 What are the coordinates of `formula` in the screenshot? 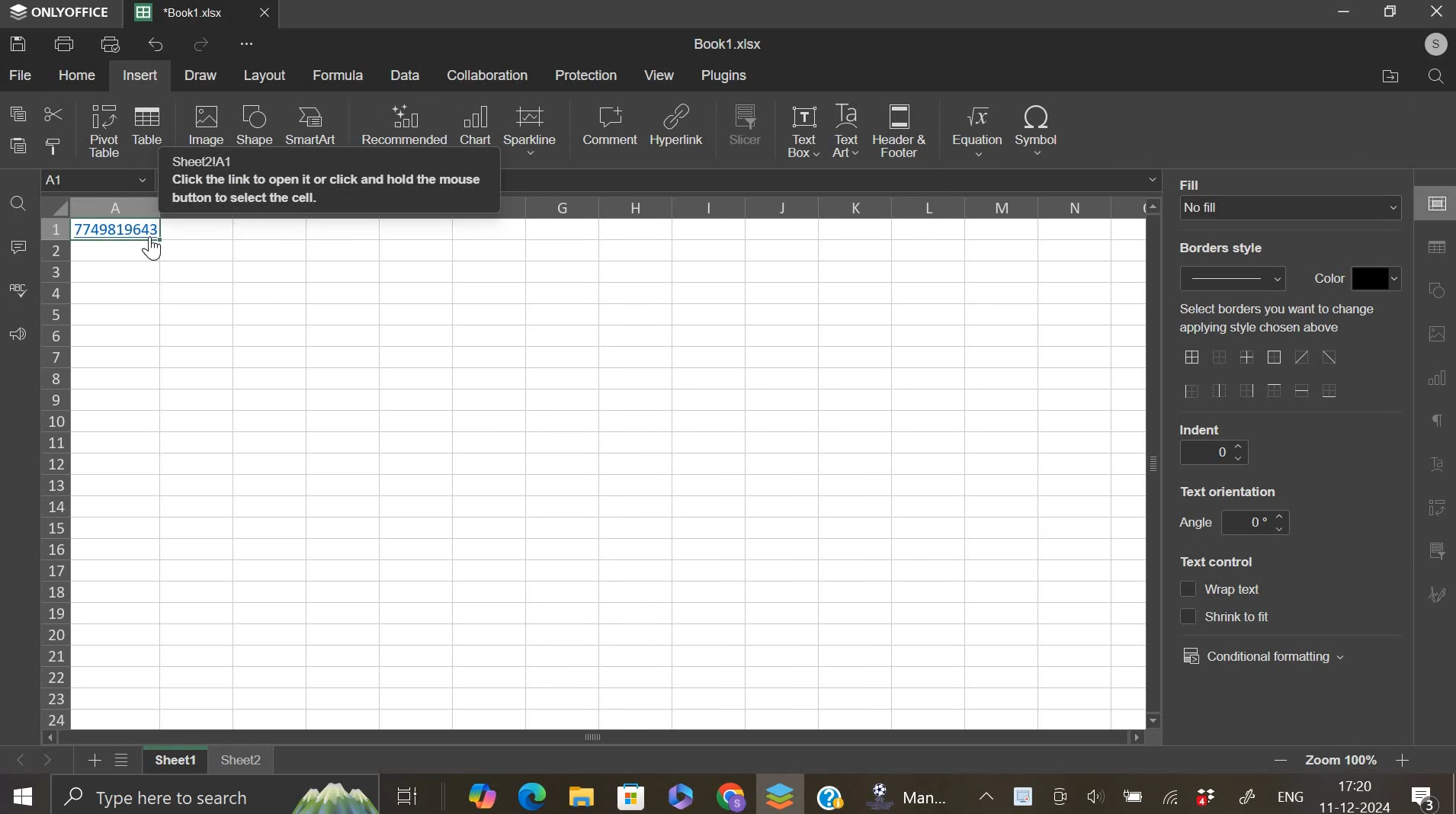 It's located at (339, 75).